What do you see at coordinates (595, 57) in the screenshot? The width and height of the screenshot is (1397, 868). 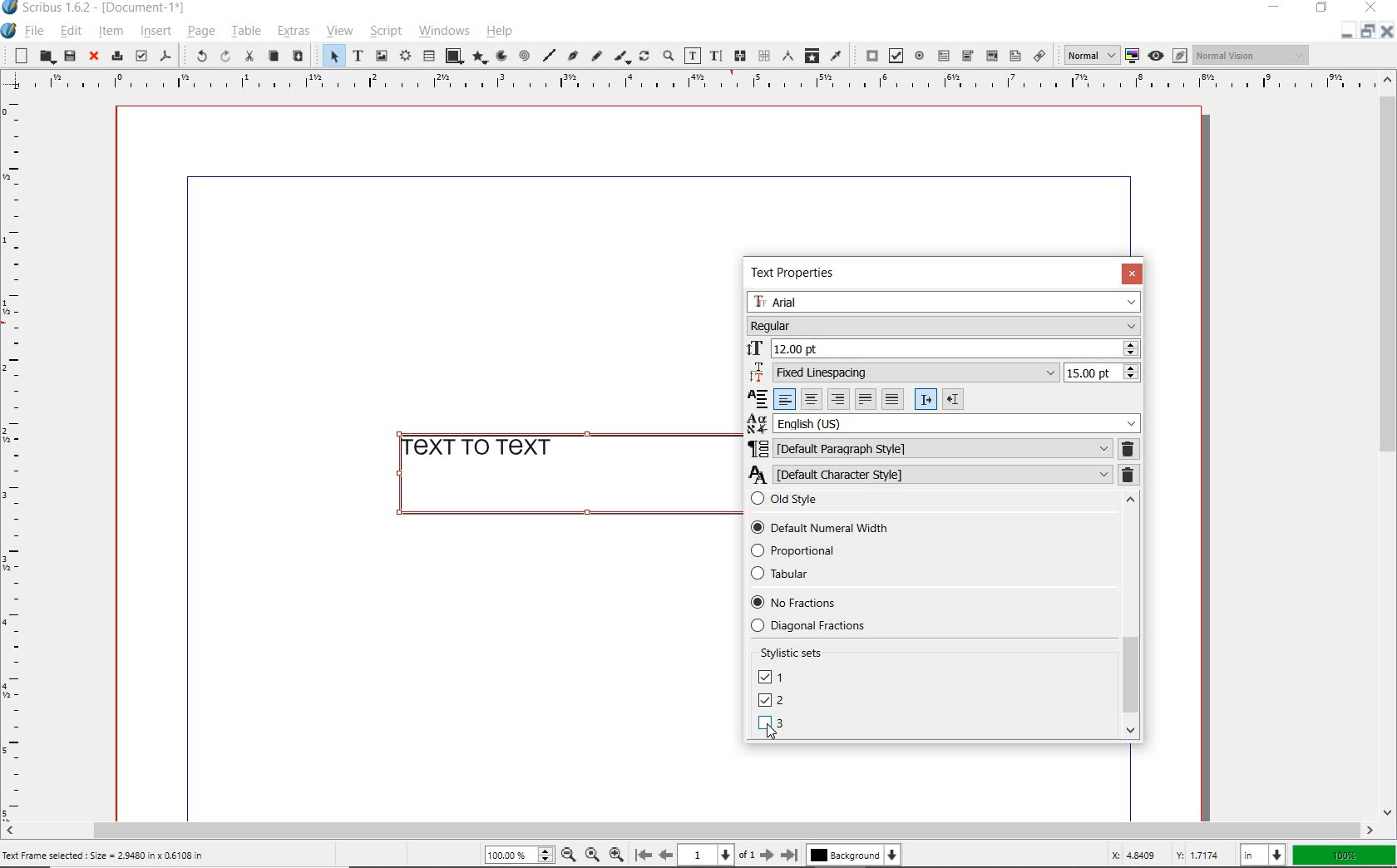 I see `freehand line` at bounding box center [595, 57].